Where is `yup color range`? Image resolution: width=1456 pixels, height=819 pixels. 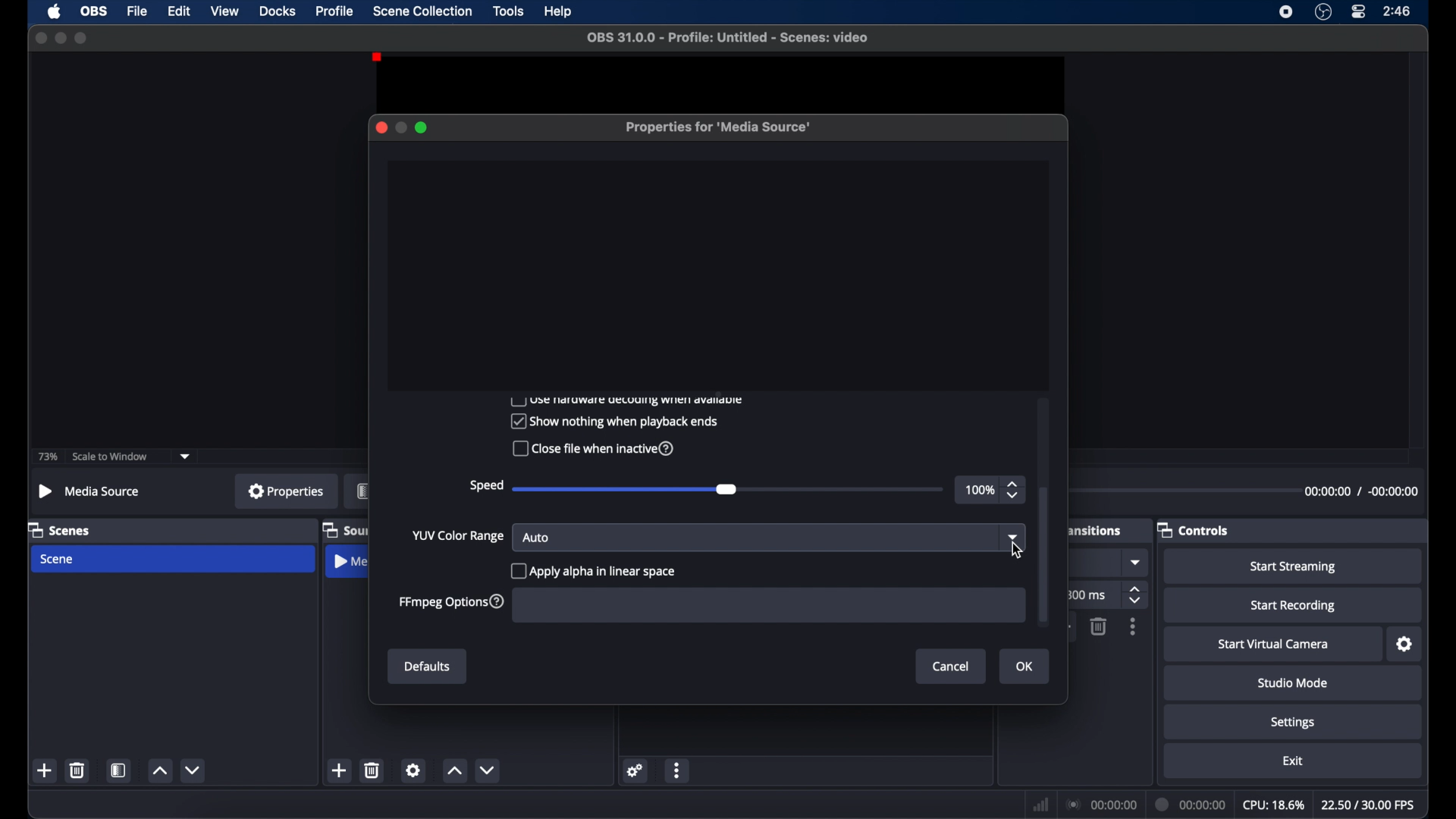 yup color range is located at coordinates (459, 535).